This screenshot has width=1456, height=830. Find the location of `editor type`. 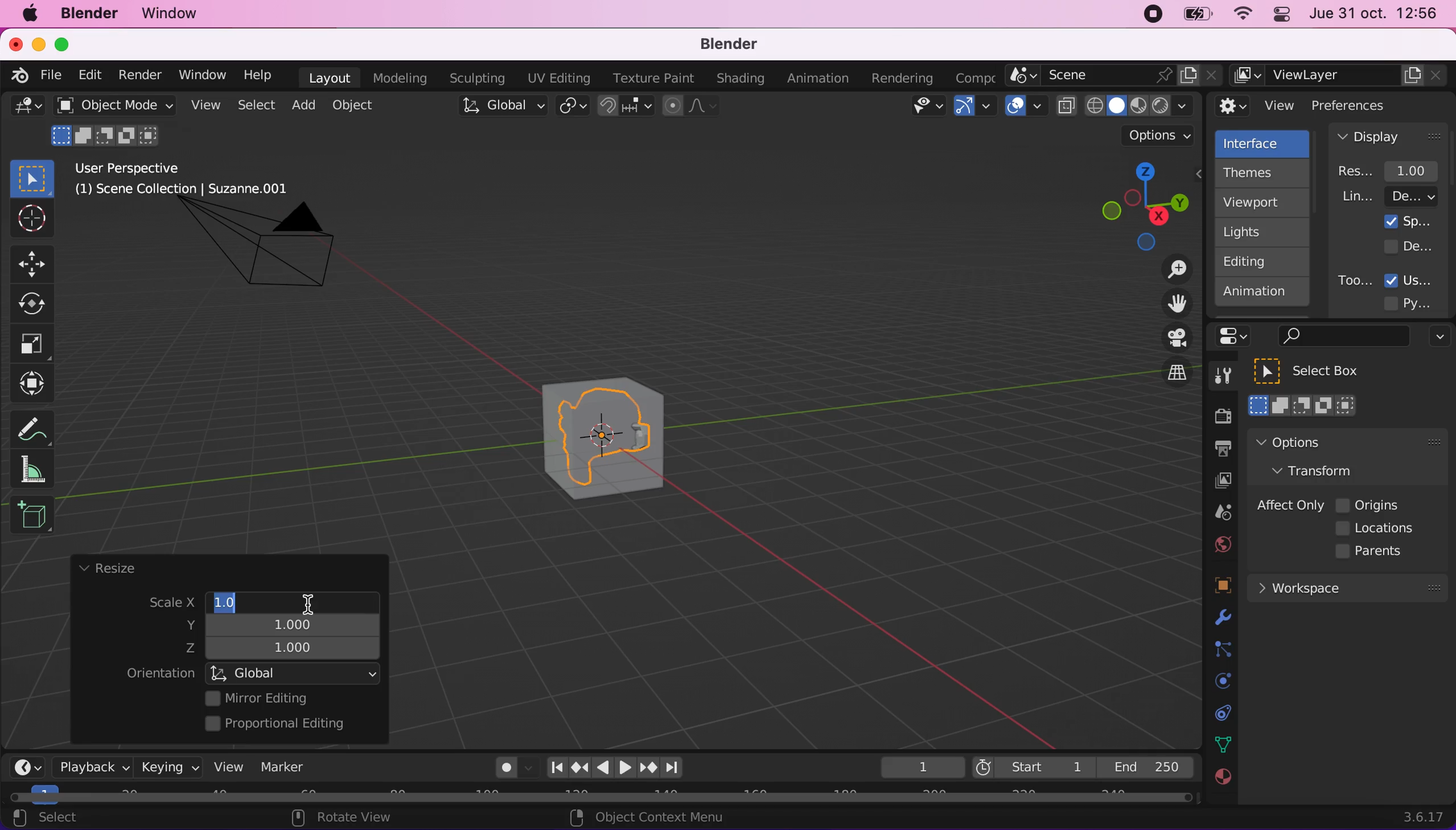

editor type is located at coordinates (23, 758).